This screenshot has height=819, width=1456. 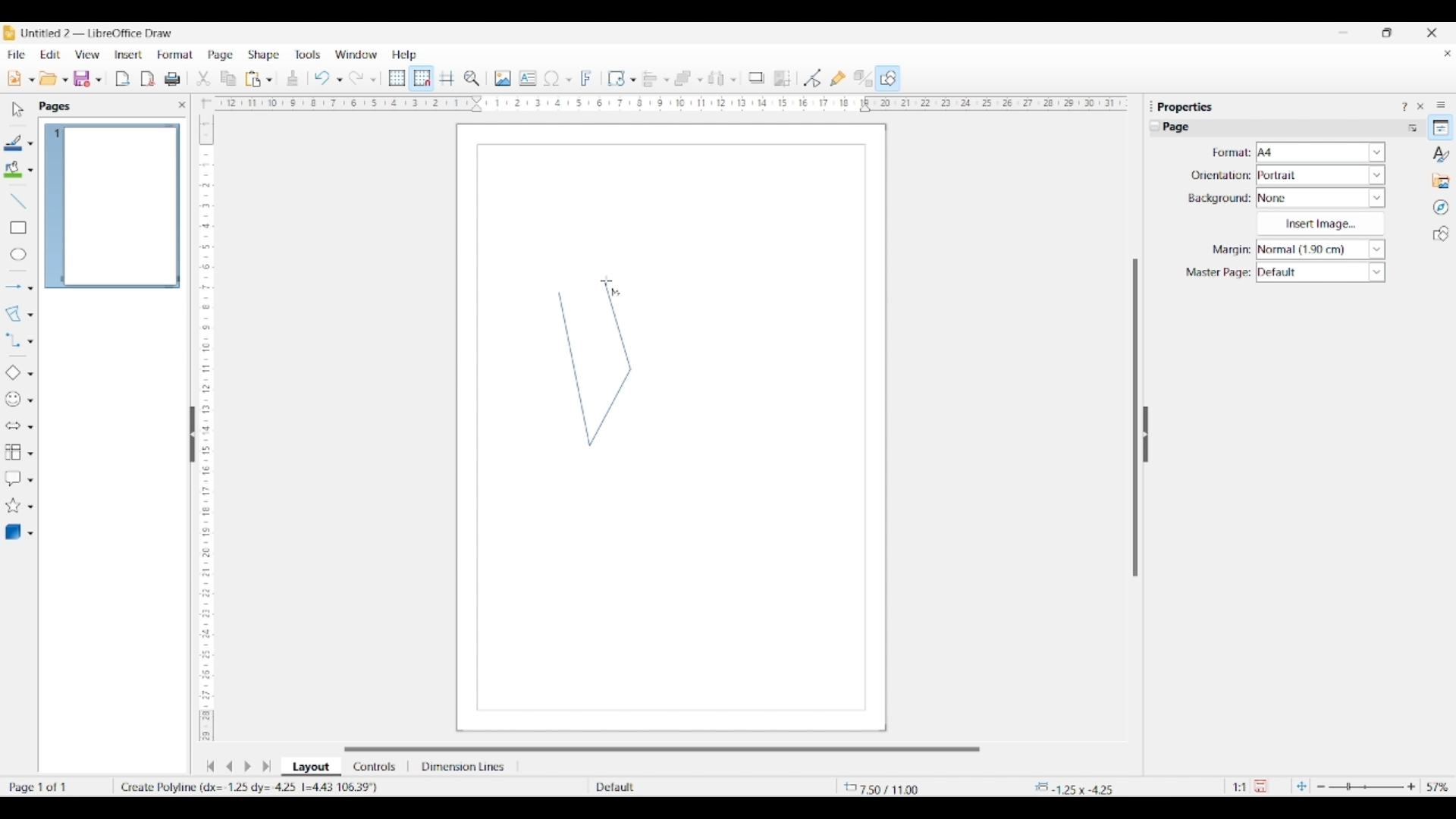 I want to click on File, so click(x=16, y=55).